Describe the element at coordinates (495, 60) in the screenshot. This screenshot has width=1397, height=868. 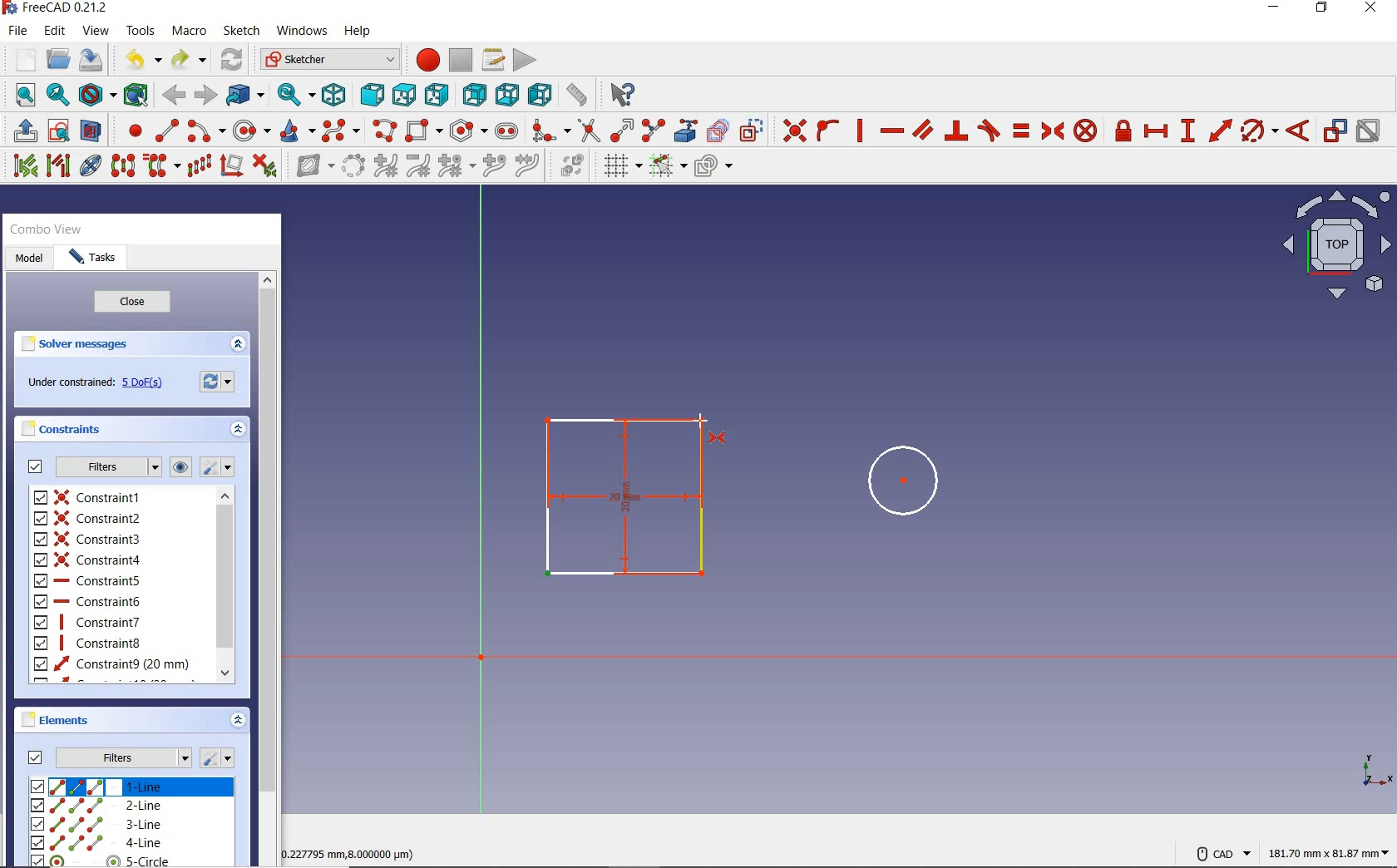
I see `macros` at that location.